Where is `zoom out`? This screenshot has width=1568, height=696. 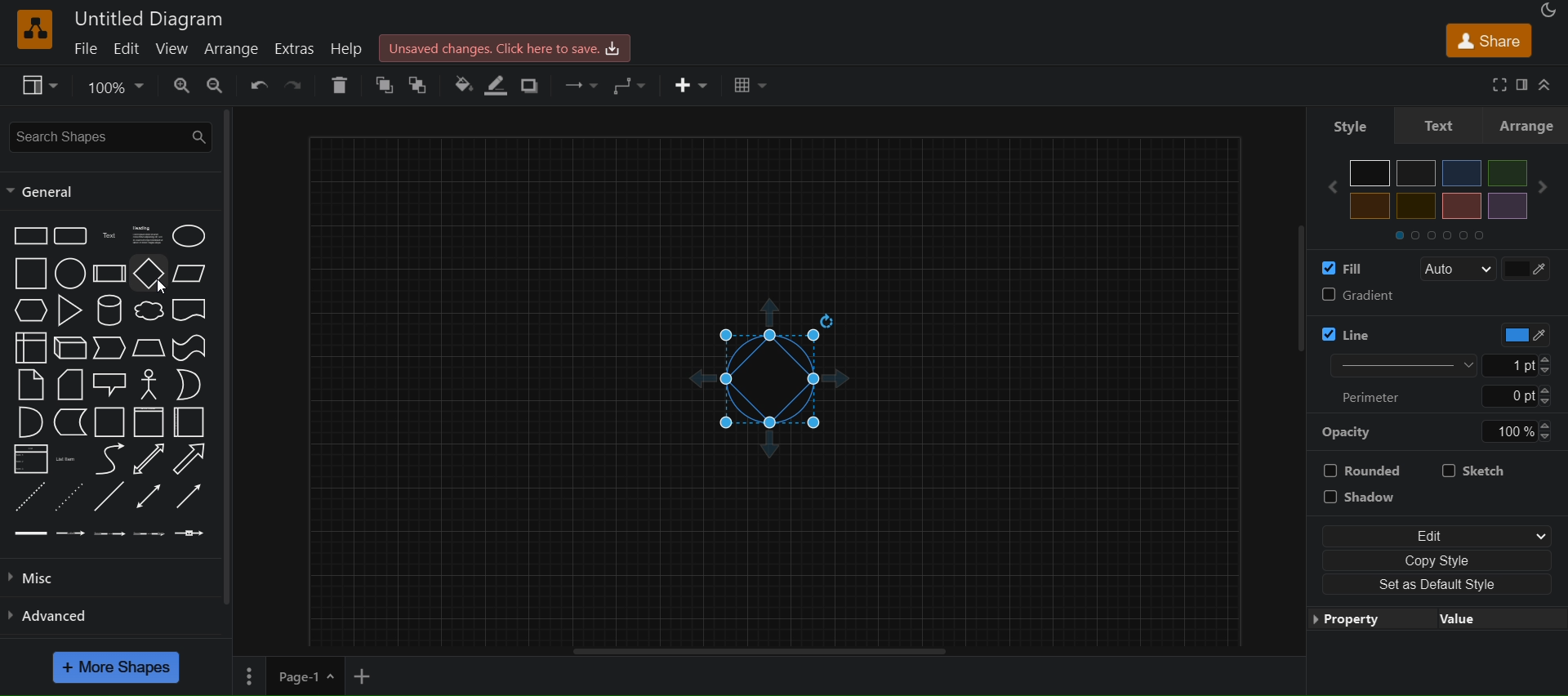
zoom out is located at coordinates (219, 86).